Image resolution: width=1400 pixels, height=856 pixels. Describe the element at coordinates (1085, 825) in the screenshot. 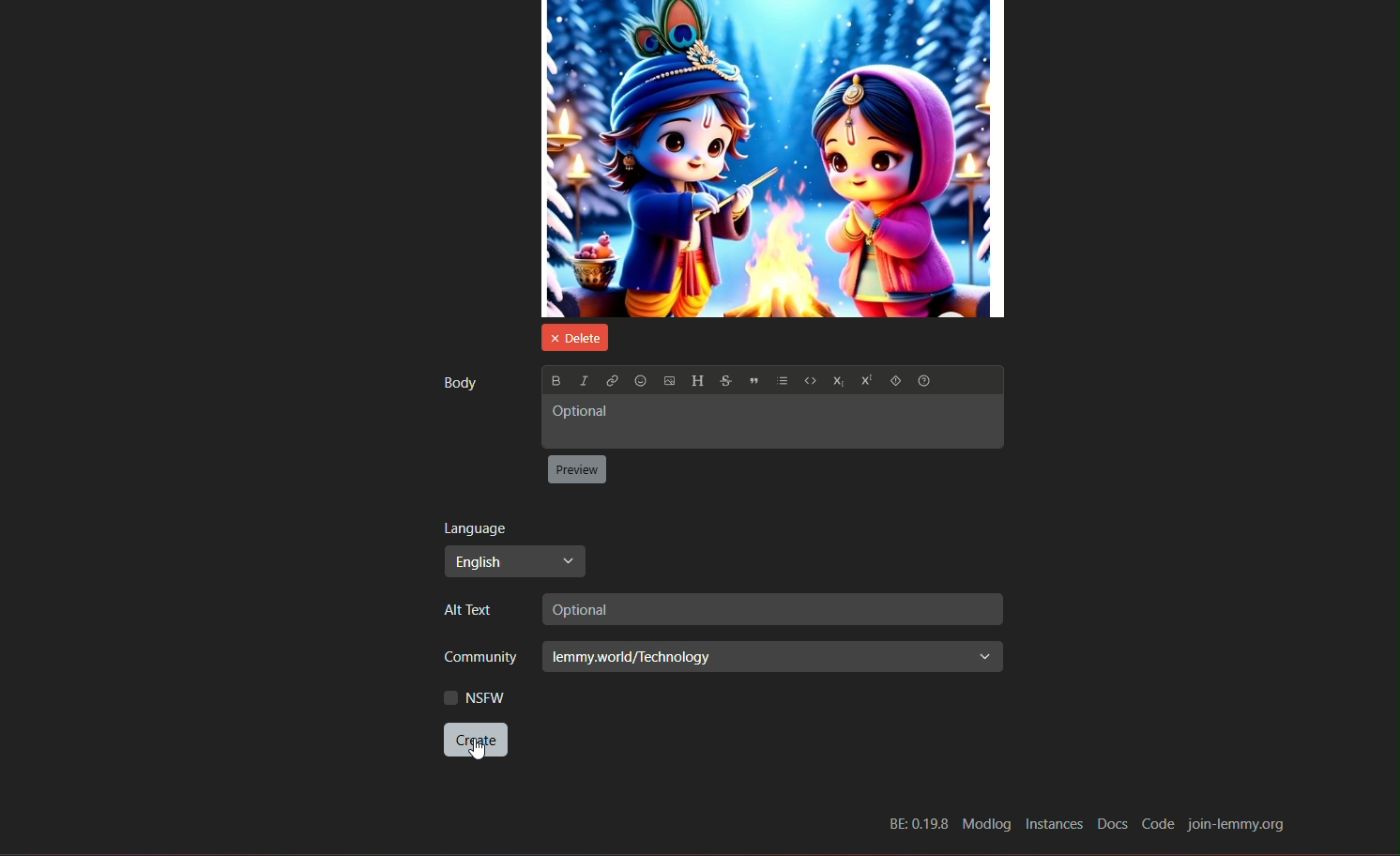

I see `BE0.198 Modlog Instances Docs Code join-lemmy.org` at that location.